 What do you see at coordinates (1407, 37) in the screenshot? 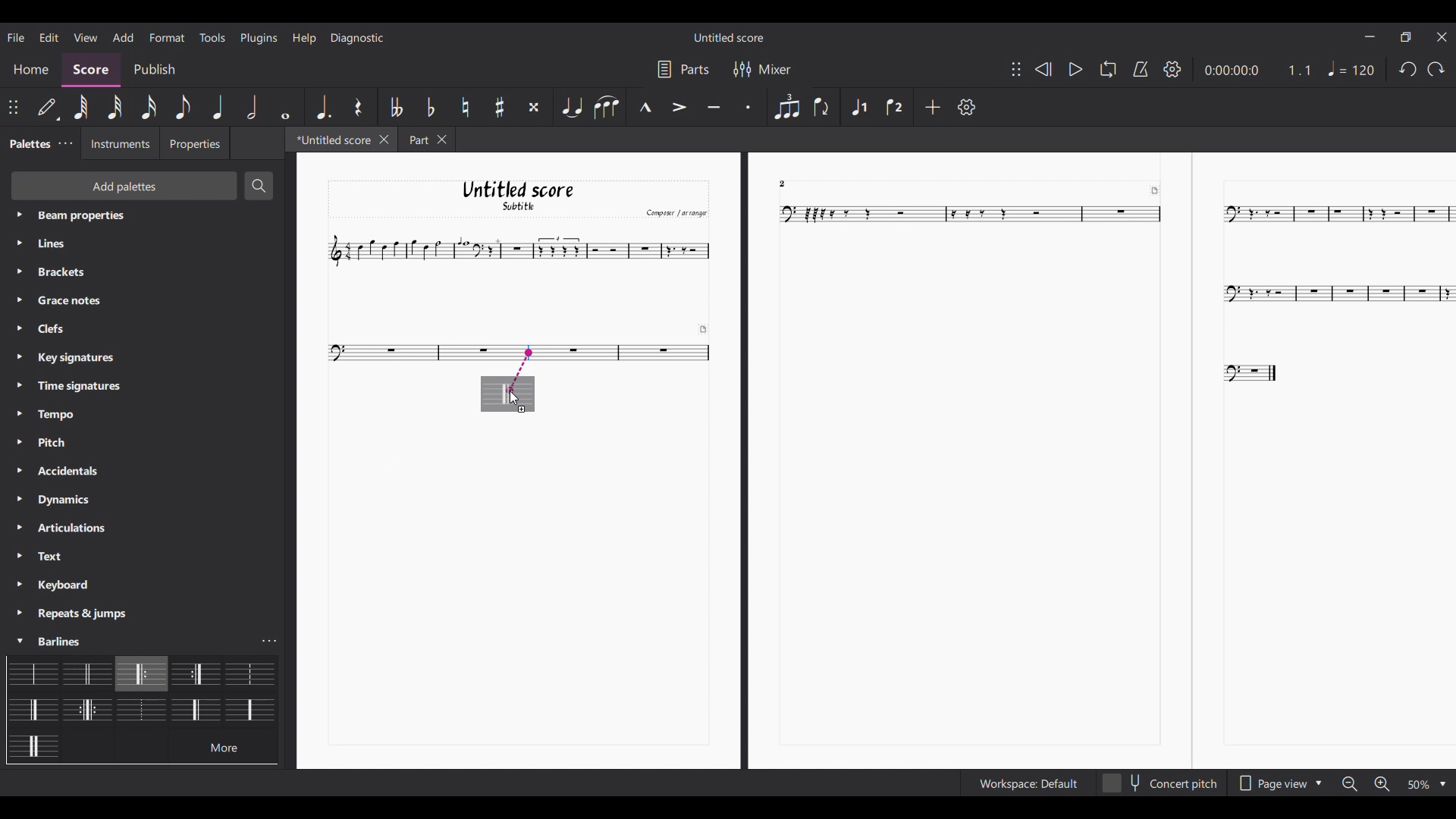
I see `Show in smaller tab` at bounding box center [1407, 37].